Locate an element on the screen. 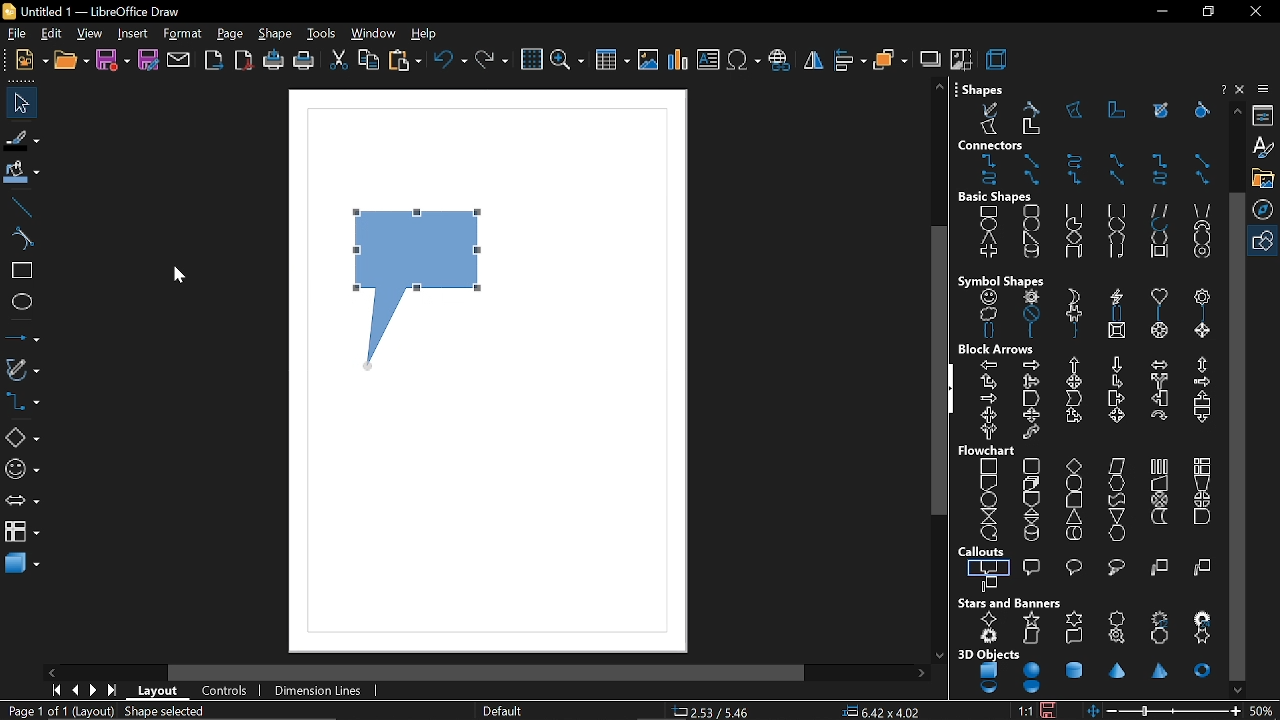 This screenshot has height=720, width=1280. cross is located at coordinates (986, 253).